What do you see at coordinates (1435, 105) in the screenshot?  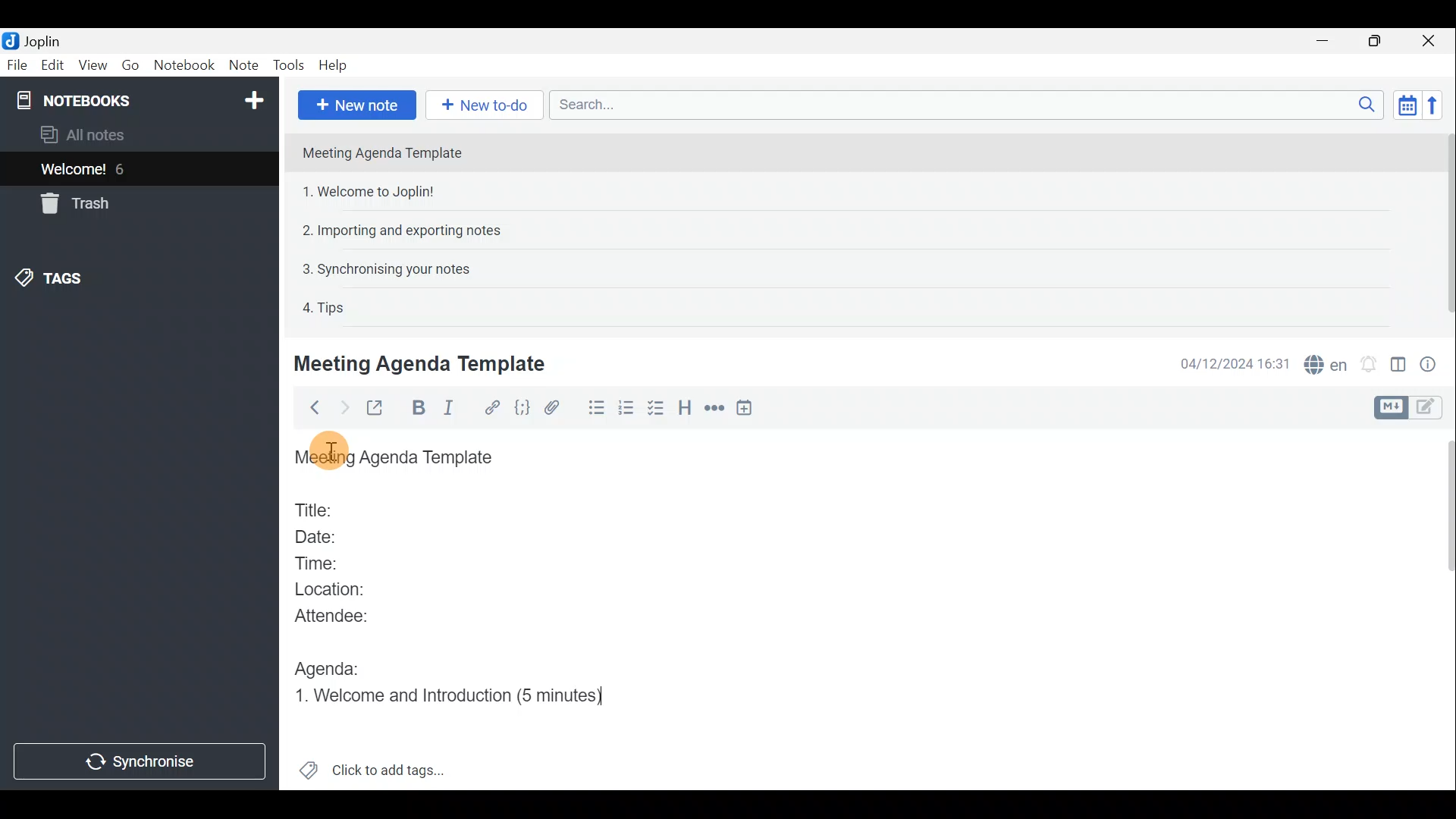 I see `Reverse sort order` at bounding box center [1435, 105].